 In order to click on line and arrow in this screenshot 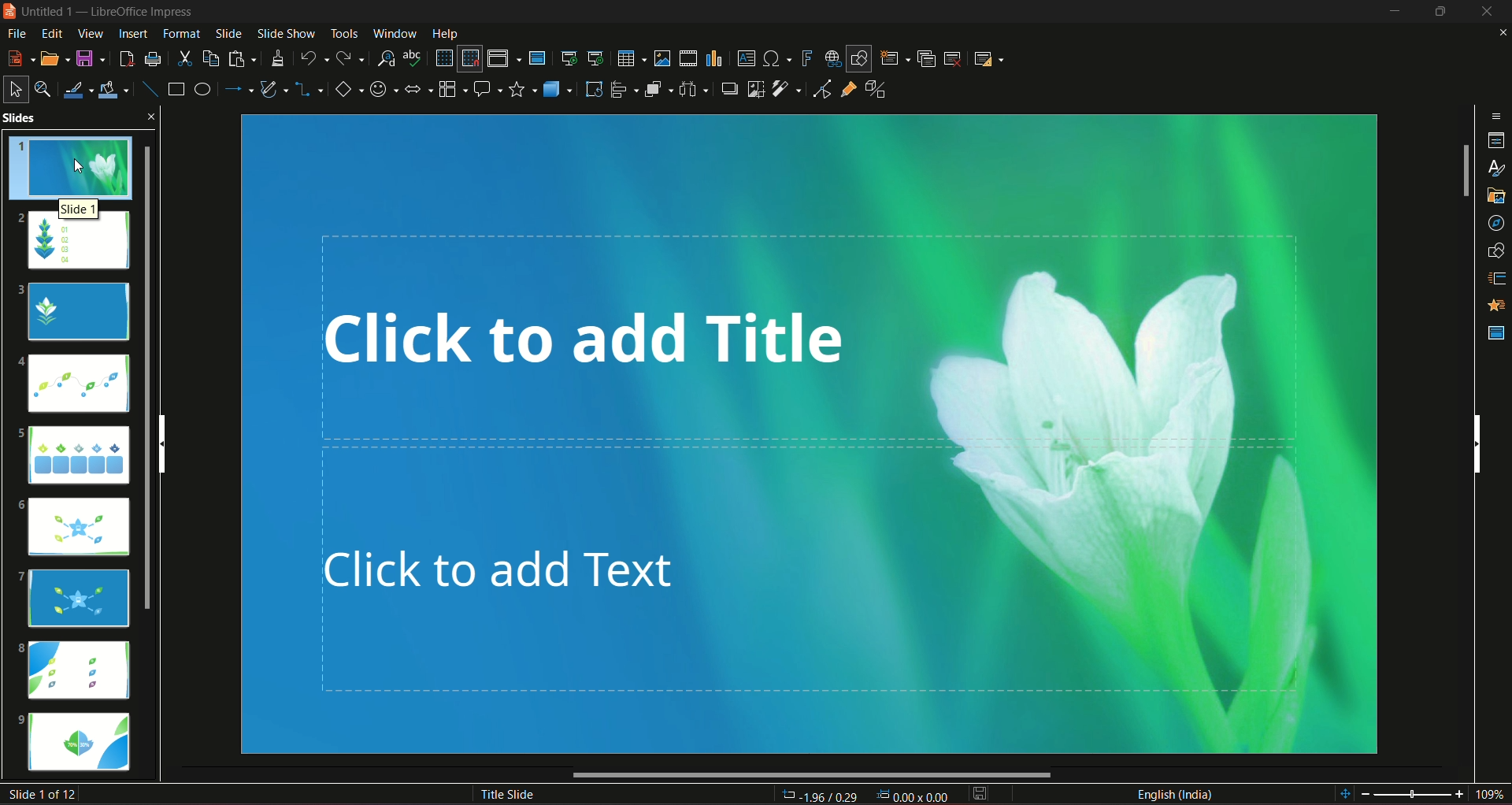, I will do `click(239, 89)`.